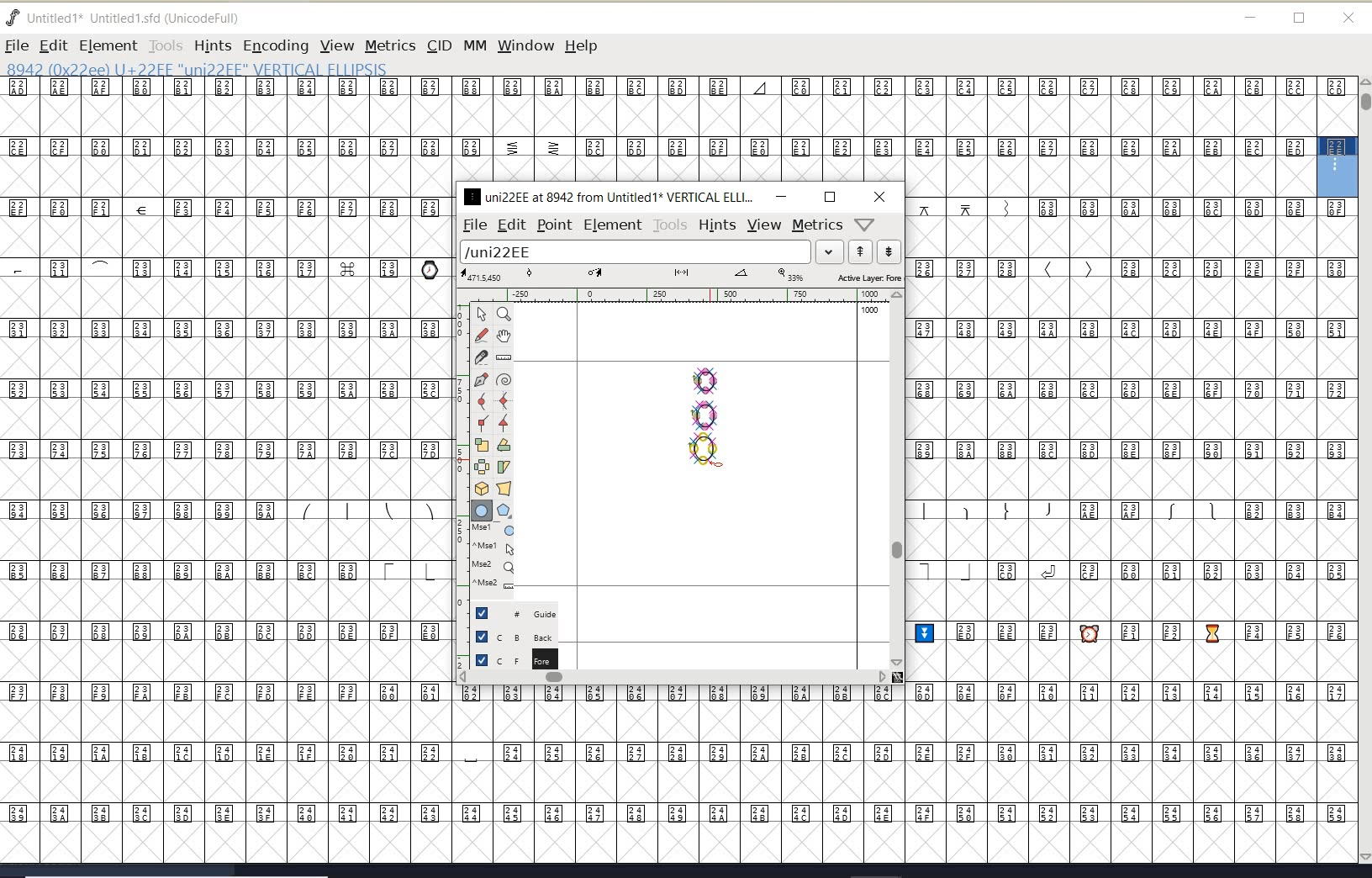  Describe the element at coordinates (1338, 167) in the screenshot. I see `glyph selected` at that location.